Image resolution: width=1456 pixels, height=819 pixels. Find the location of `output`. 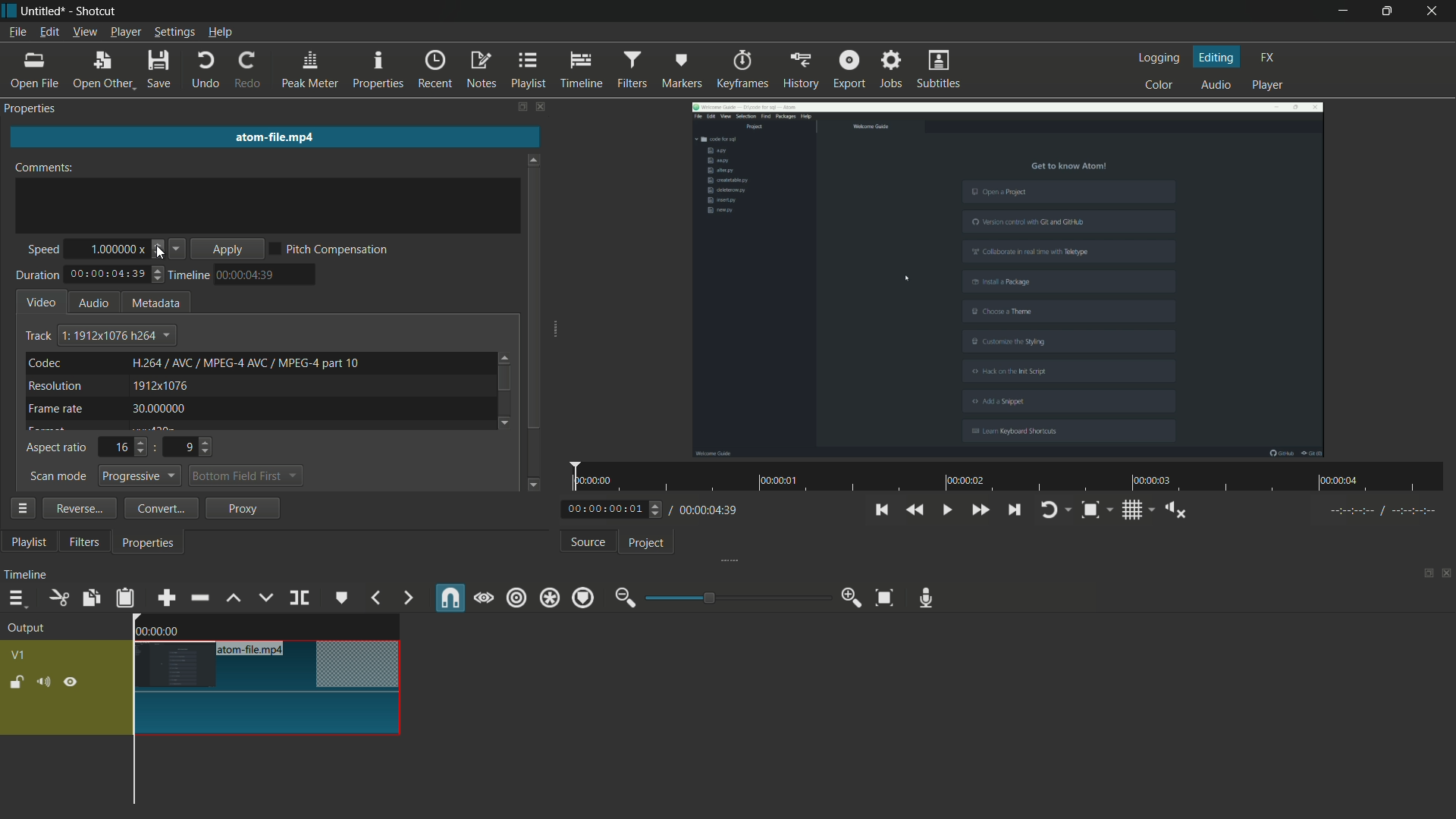

output is located at coordinates (26, 629).